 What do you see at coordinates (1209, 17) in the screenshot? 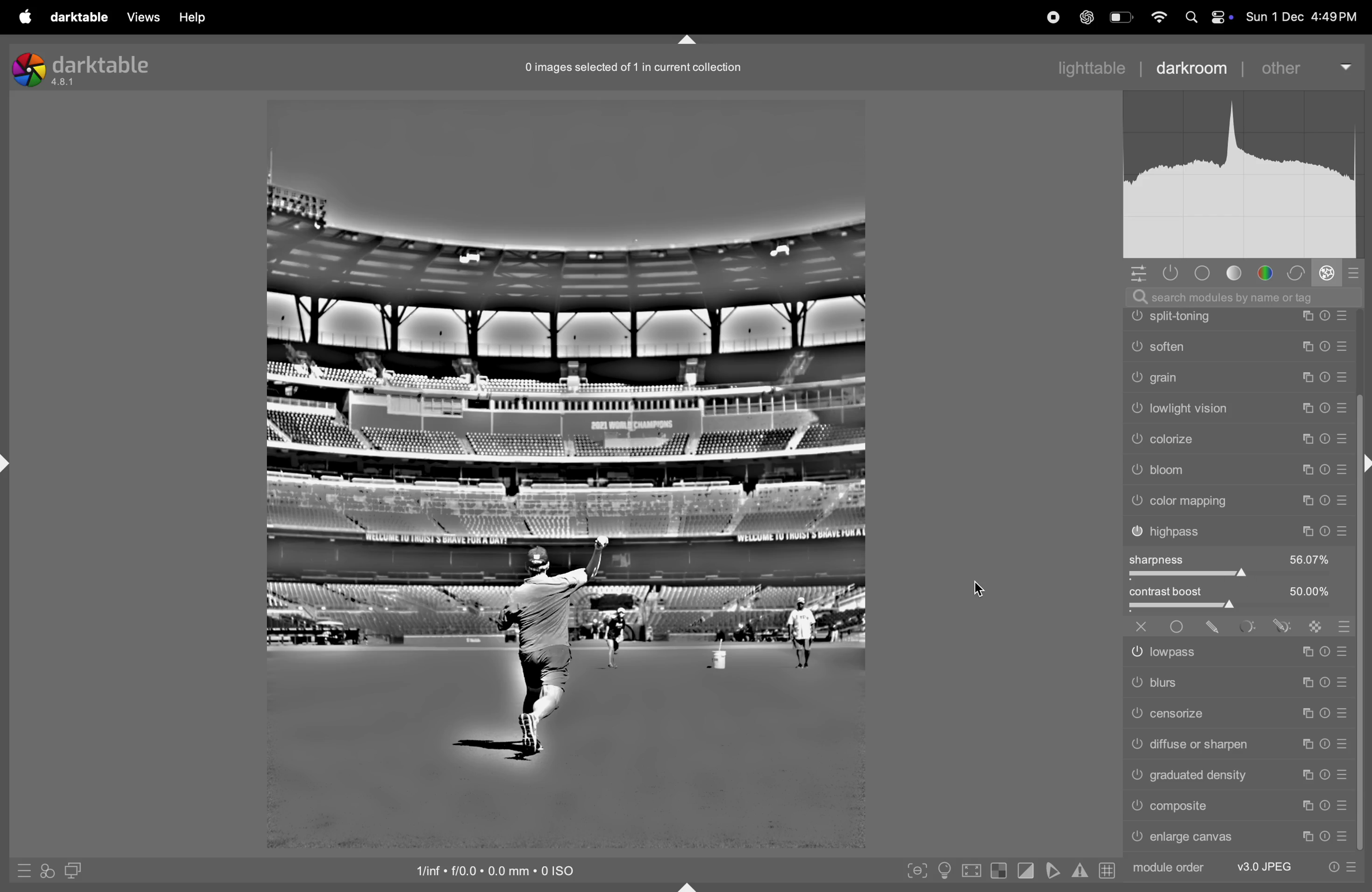
I see `apple widgets` at bounding box center [1209, 17].